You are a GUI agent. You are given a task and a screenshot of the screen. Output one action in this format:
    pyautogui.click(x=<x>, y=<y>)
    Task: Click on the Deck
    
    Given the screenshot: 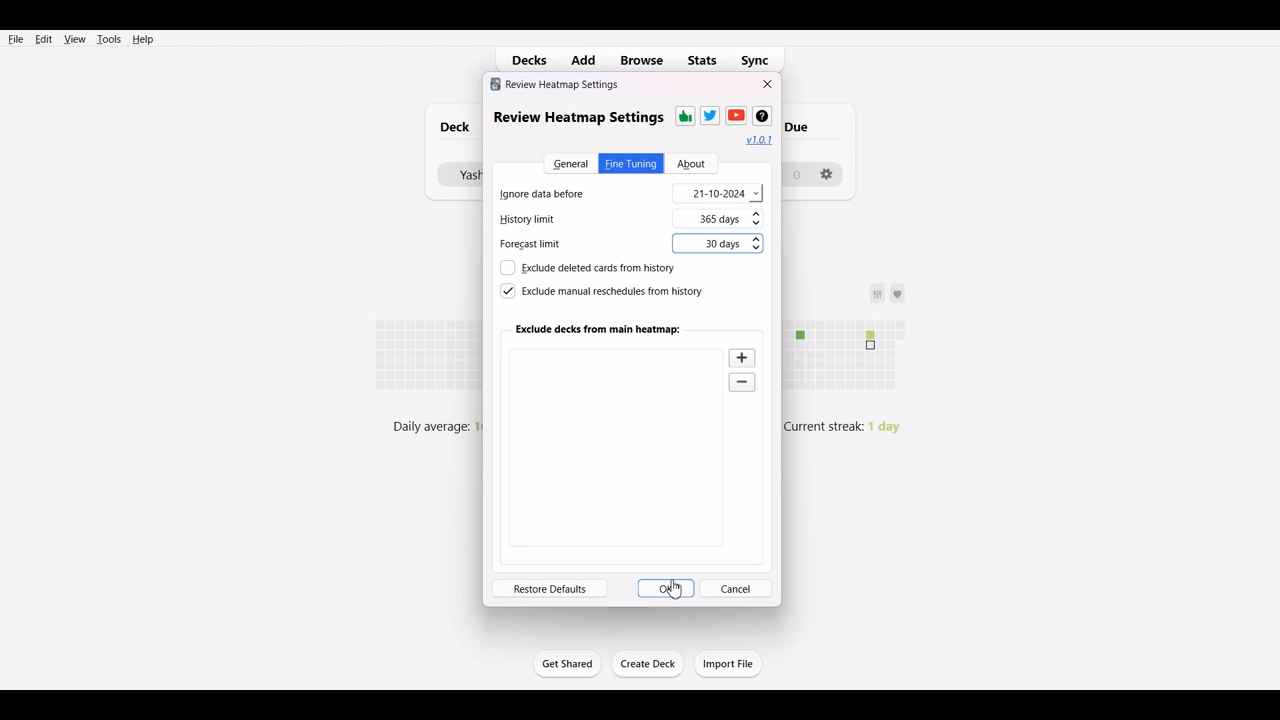 What is the action you would take?
    pyautogui.click(x=450, y=127)
    